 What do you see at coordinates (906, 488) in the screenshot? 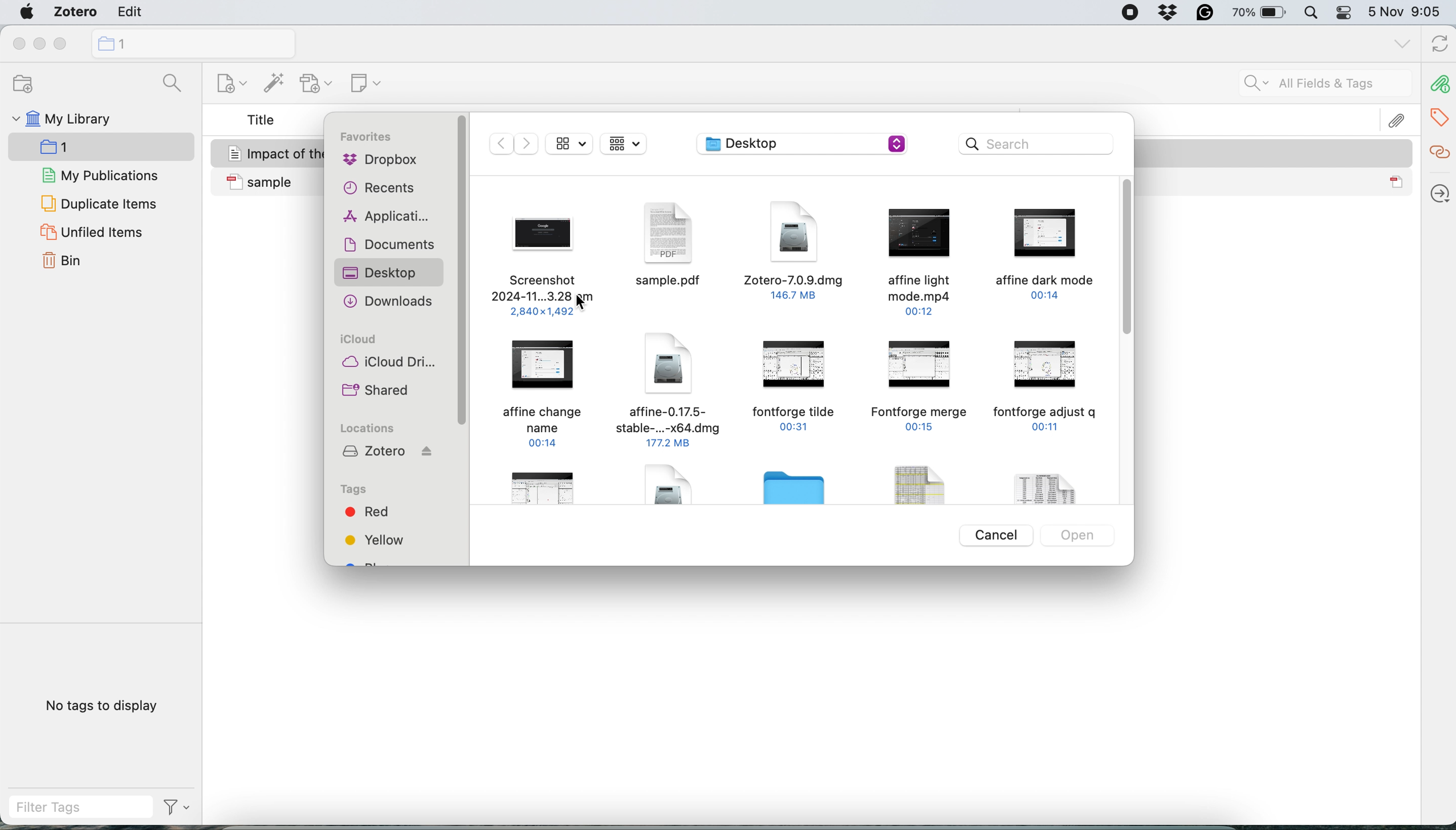
I see `File` at bounding box center [906, 488].